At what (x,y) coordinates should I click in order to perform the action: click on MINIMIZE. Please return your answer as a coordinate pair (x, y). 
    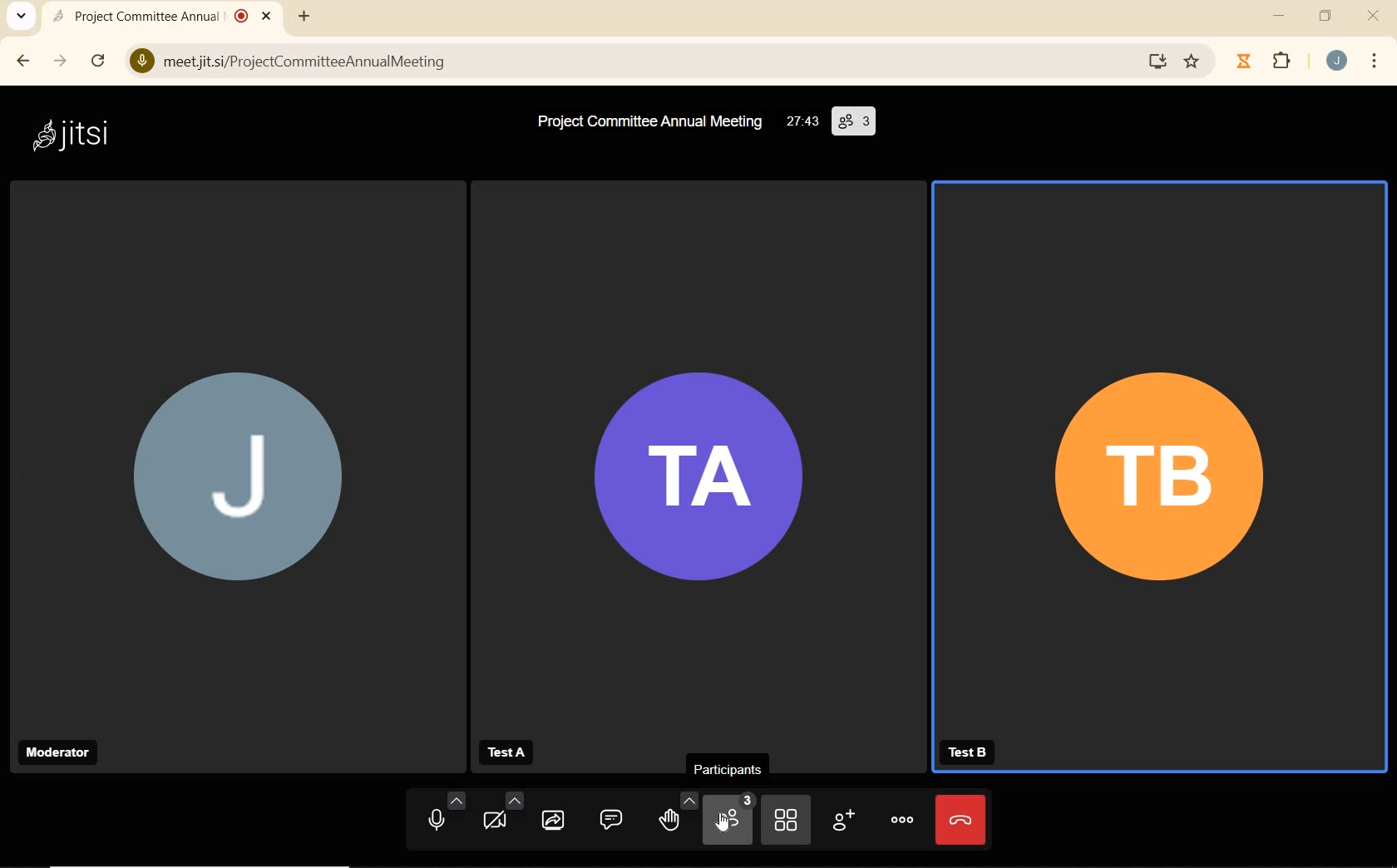
    Looking at the image, I should click on (1281, 18).